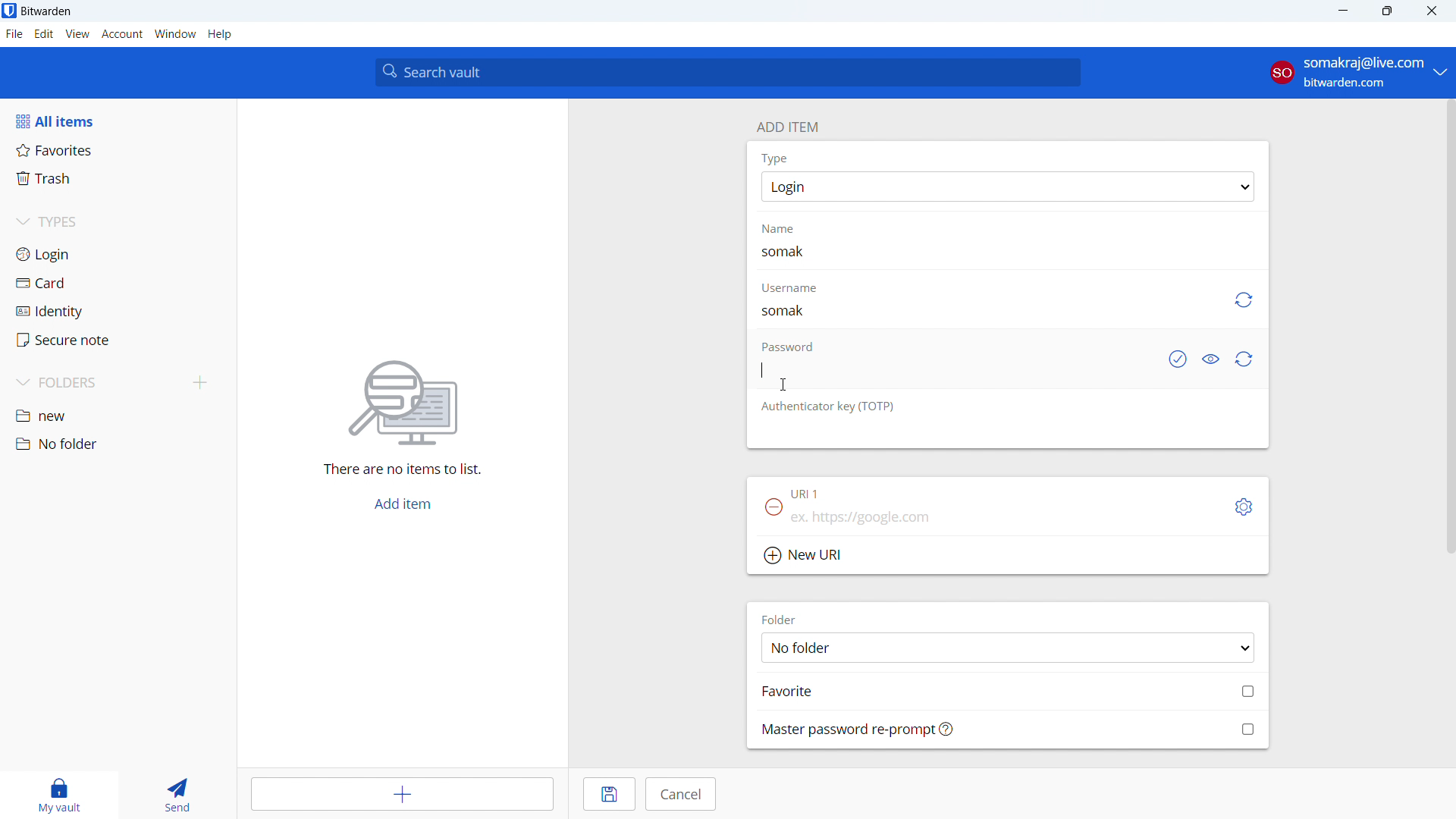 This screenshot has width=1456, height=819. I want to click on username added, so click(786, 312).